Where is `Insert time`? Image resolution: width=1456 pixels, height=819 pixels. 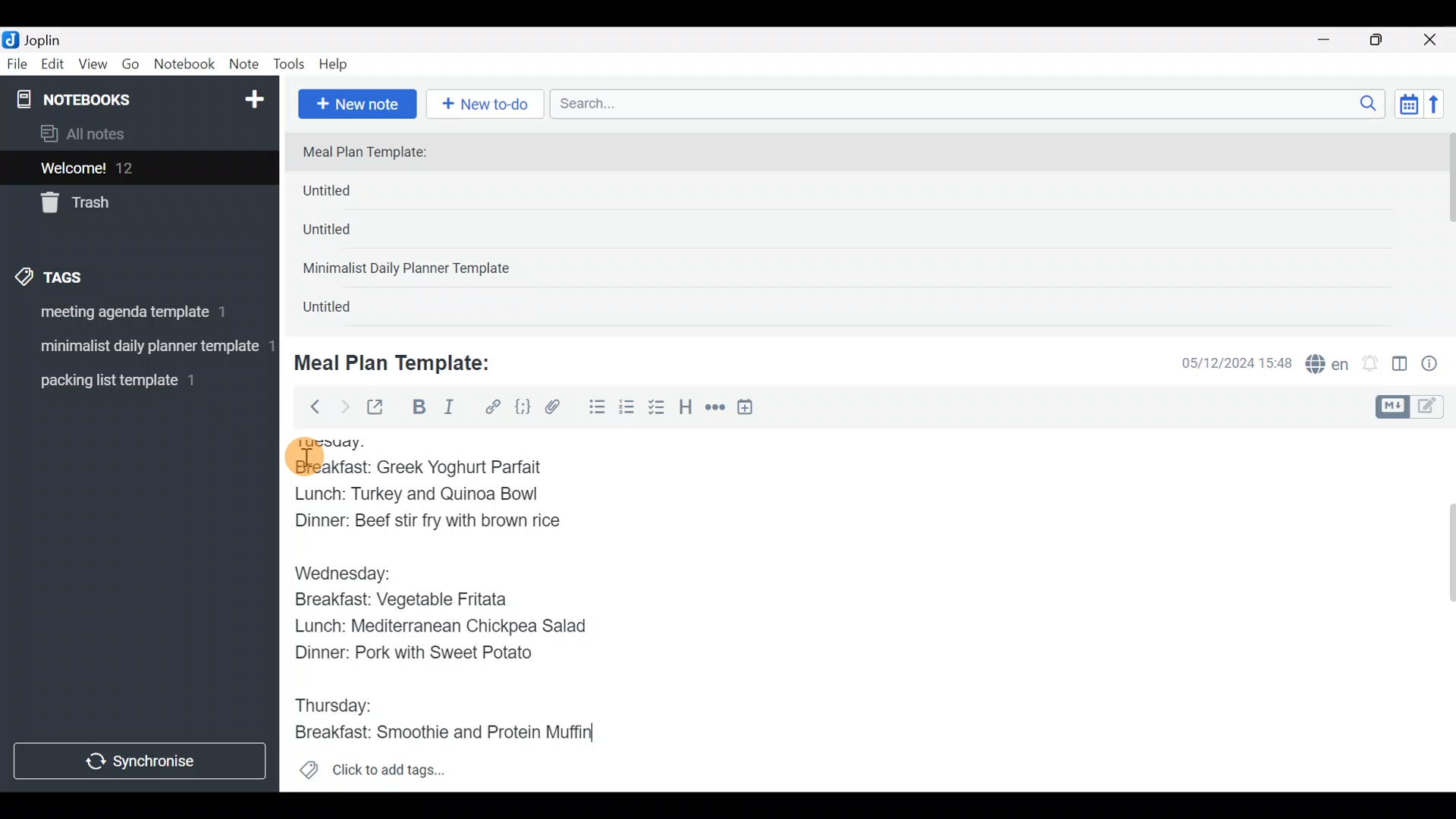
Insert time is located at coordinates (752, 409).